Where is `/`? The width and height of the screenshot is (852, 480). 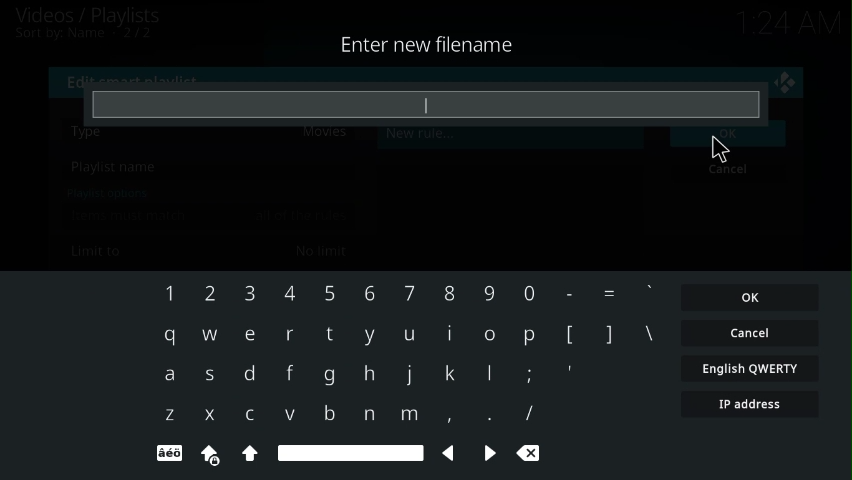
/ is located at coordinates (527, 412).